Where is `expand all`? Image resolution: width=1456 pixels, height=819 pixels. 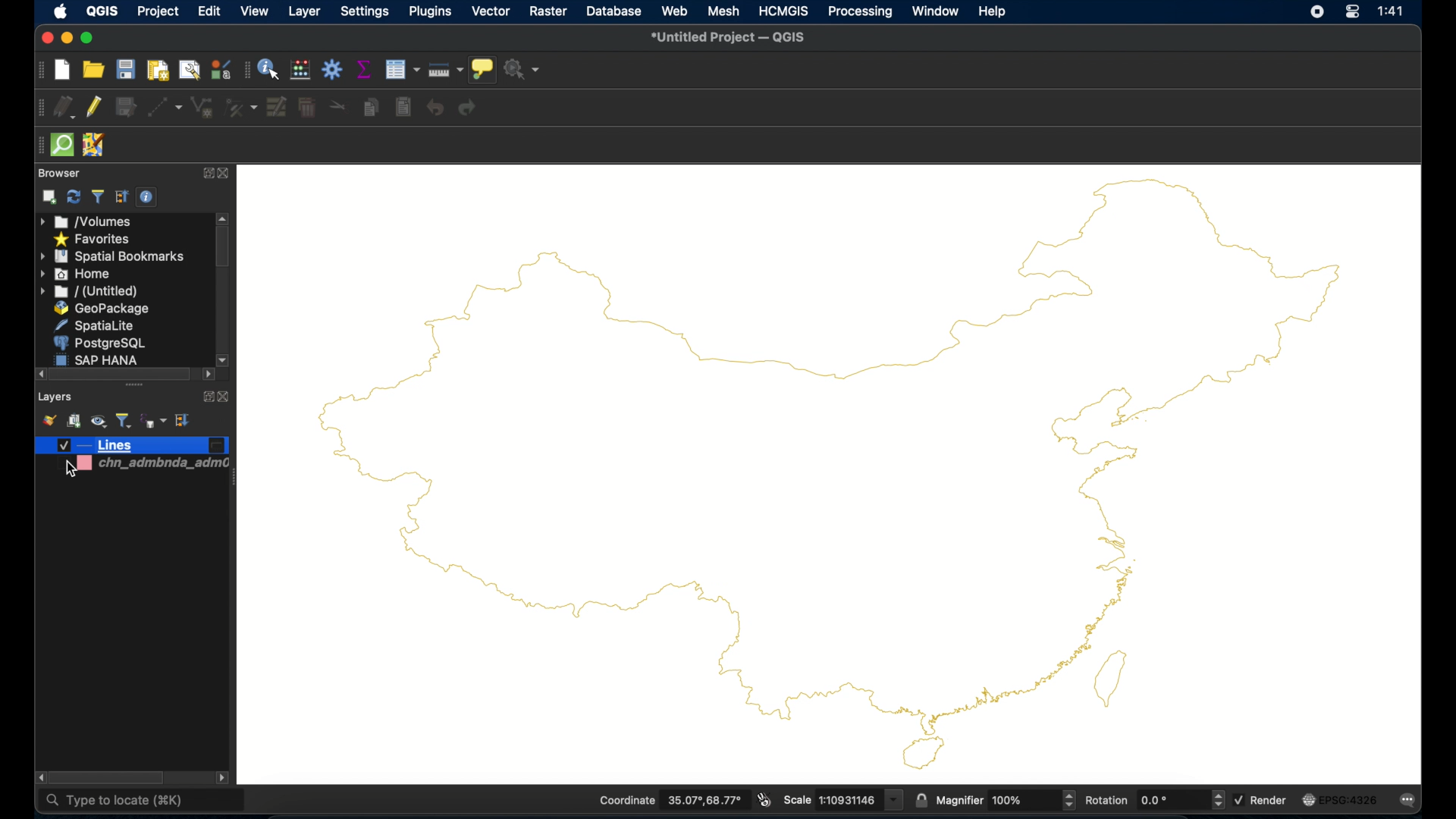 expand all is located at coordinates (184, 420).